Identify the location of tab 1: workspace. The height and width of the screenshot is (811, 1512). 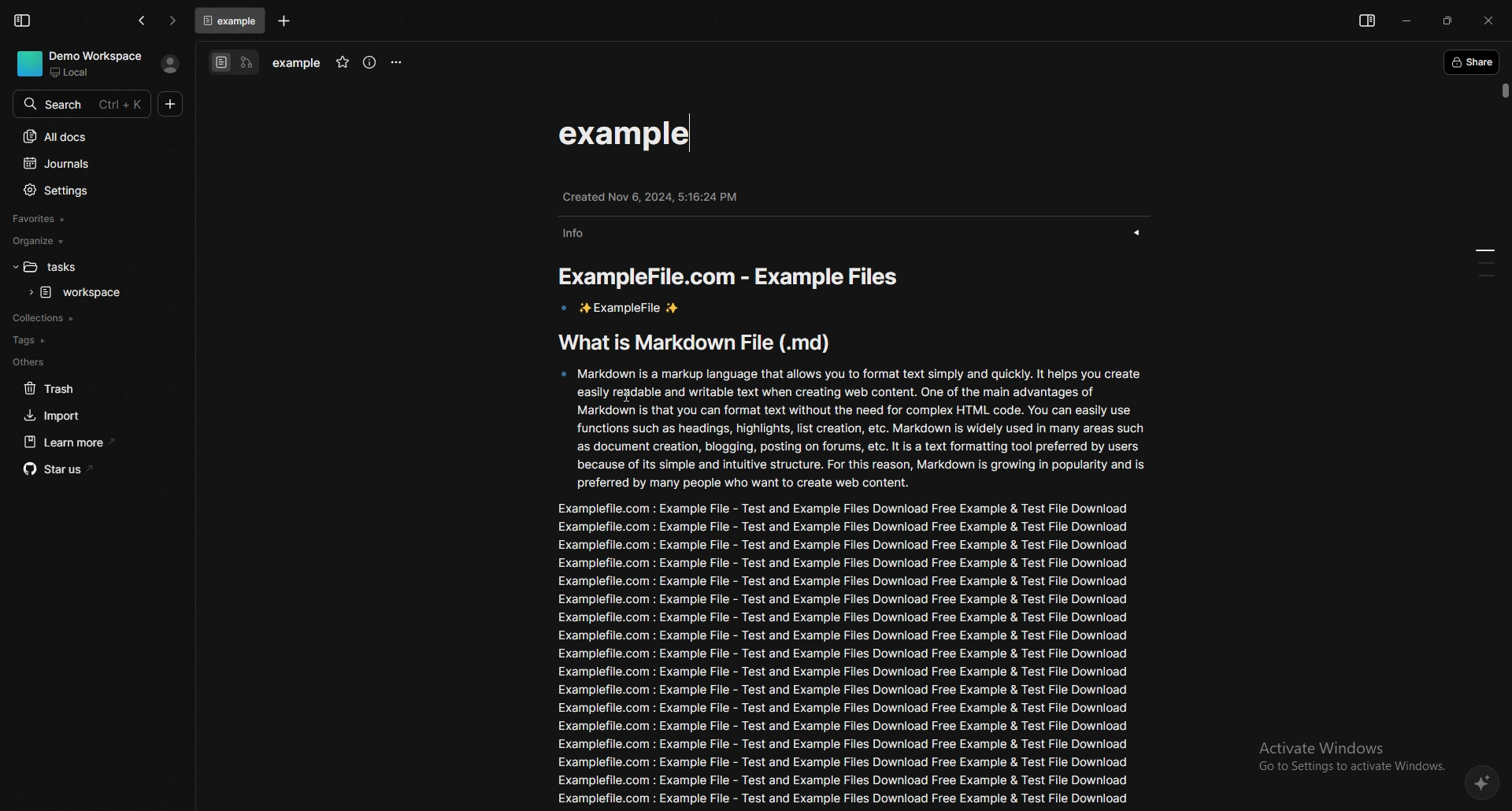
(232, 20).